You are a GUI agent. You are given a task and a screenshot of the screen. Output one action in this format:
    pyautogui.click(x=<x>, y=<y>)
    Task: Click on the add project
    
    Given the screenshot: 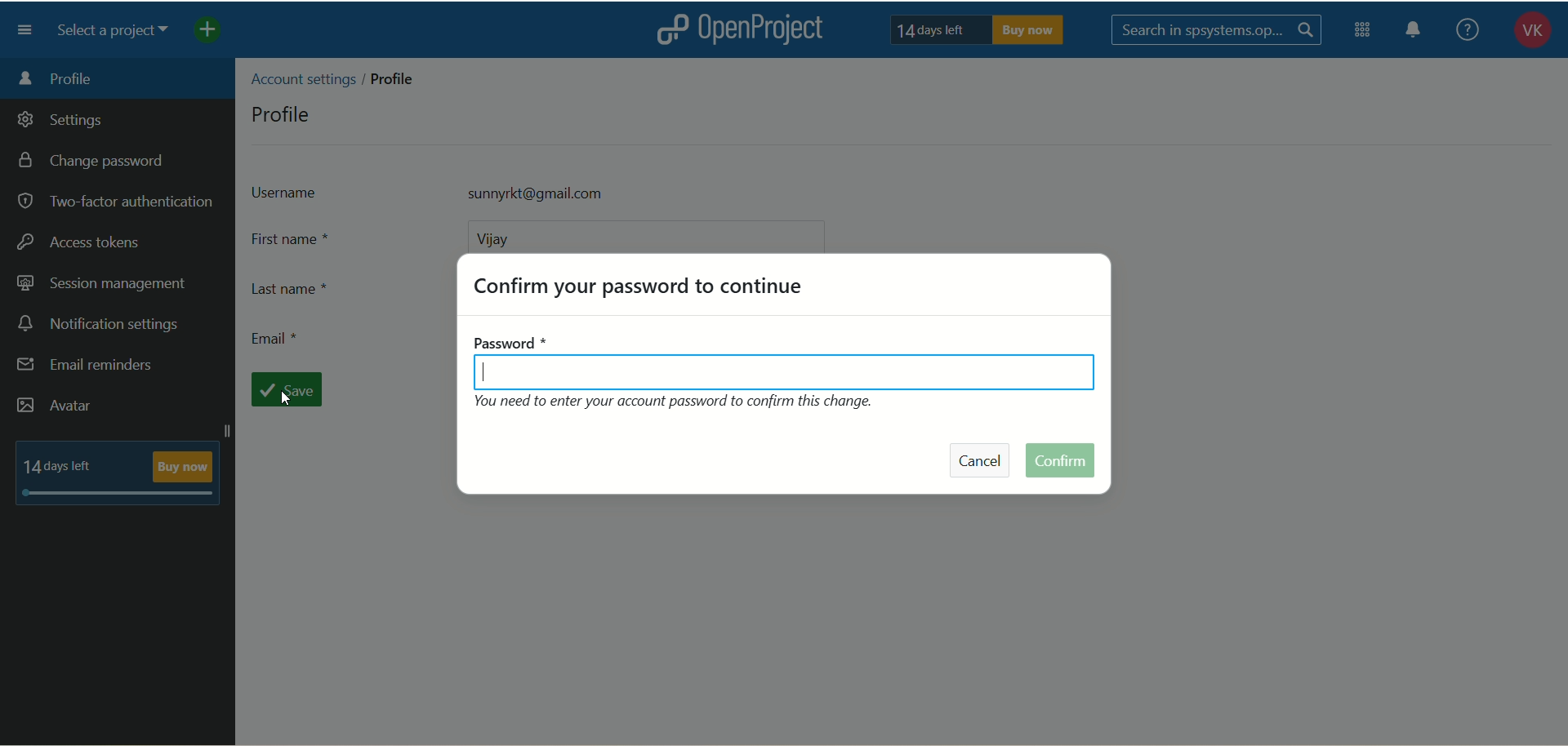 What is the action you would take?
    pyautogui.click(x=219, y=33)
    